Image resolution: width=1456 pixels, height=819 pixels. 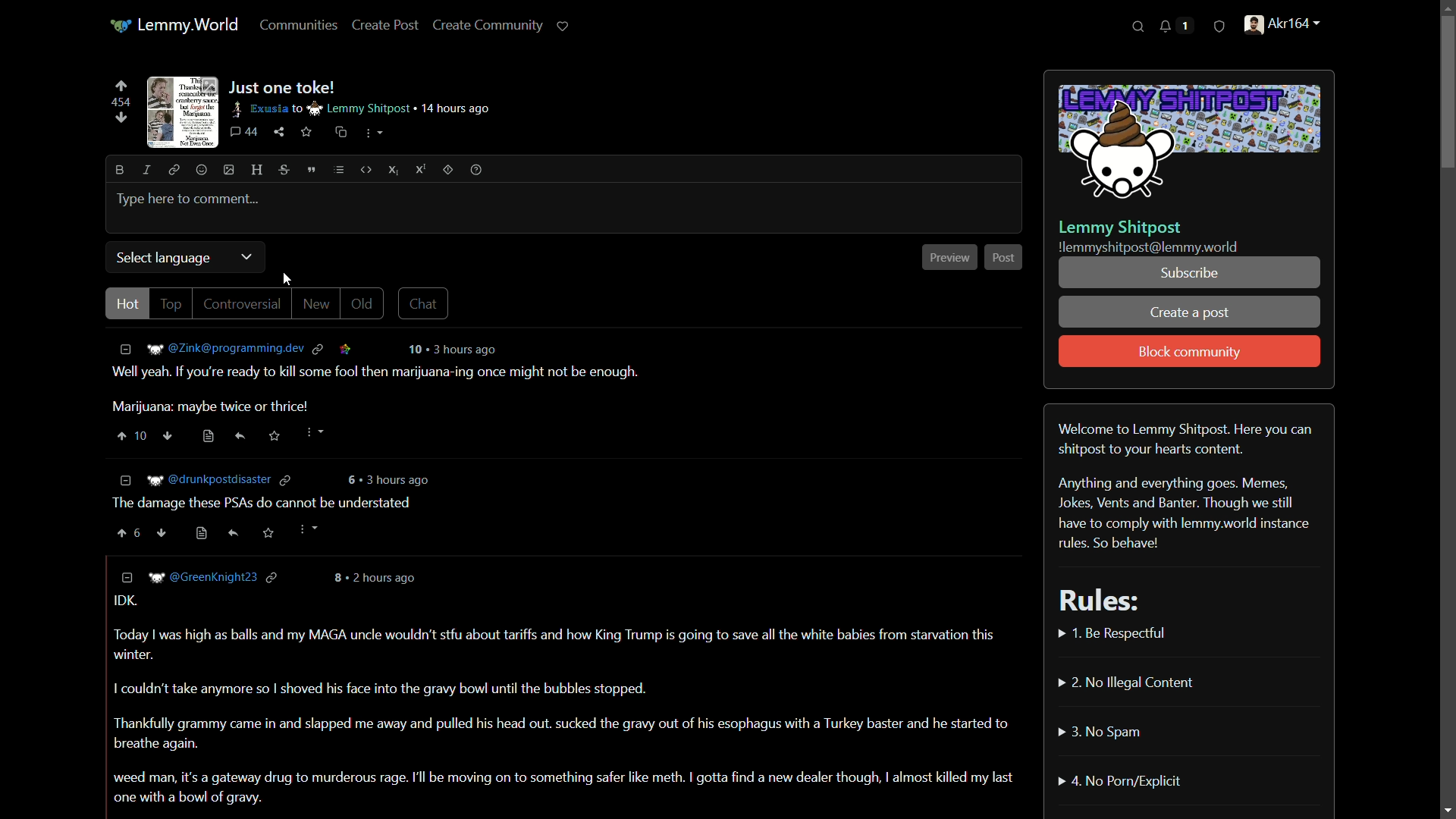 What do you see at coordinates (143, 437) in the screenshot?
I see `10` at bounding box center [143, 437].